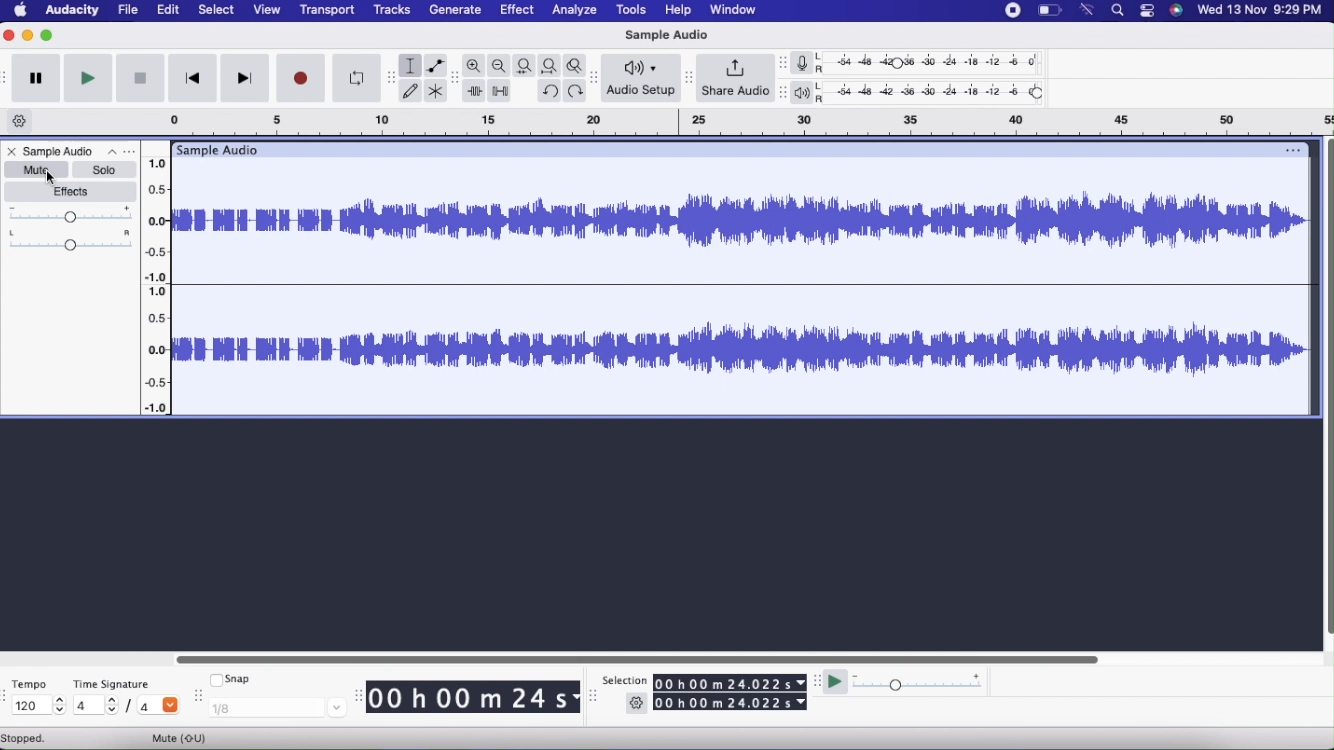  What do you see at coordinates (806, 93) in the screenshot?
I see `Playback meter` at bounding box center [806, 93].